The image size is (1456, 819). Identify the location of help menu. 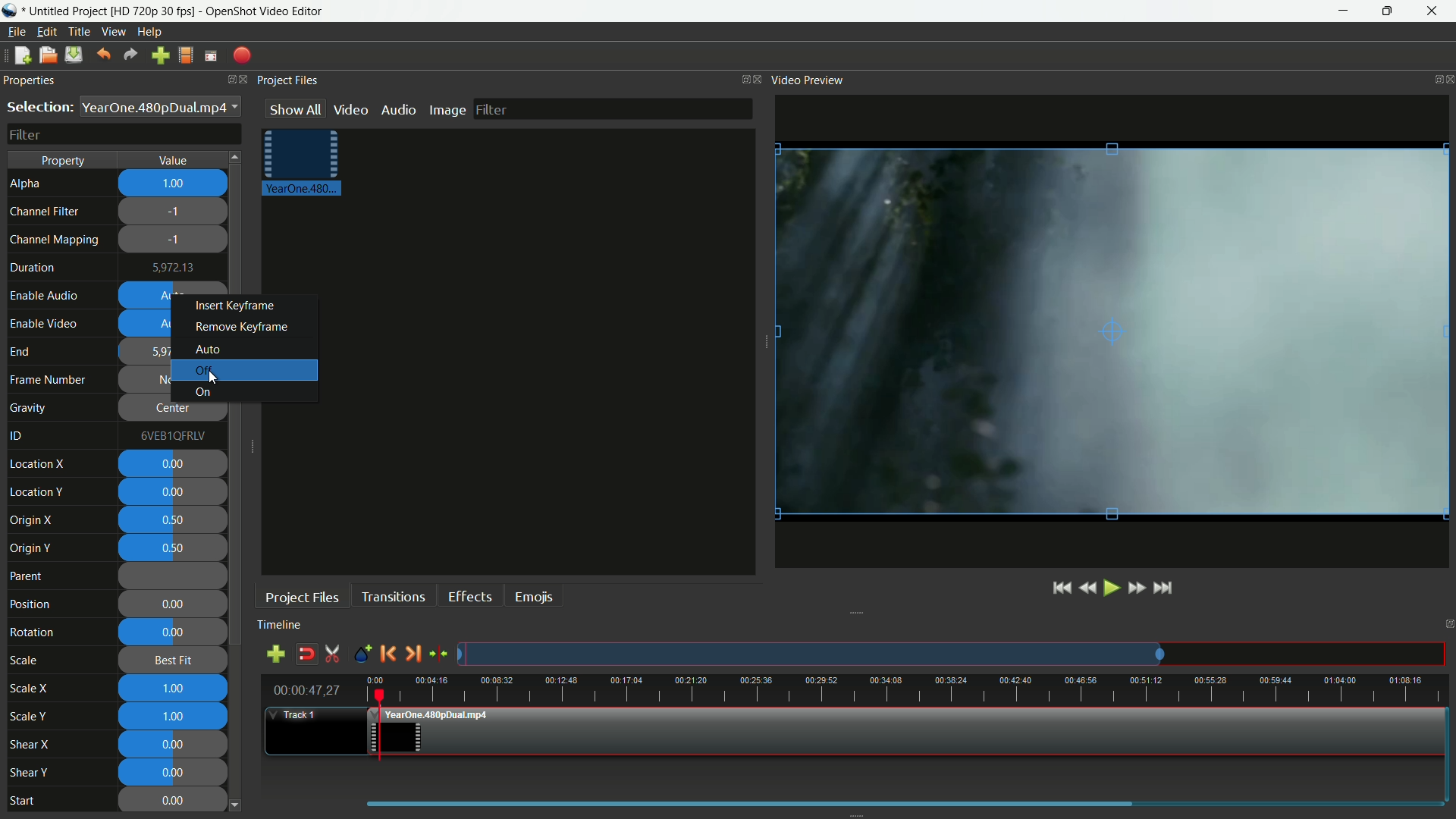
(151, 31).